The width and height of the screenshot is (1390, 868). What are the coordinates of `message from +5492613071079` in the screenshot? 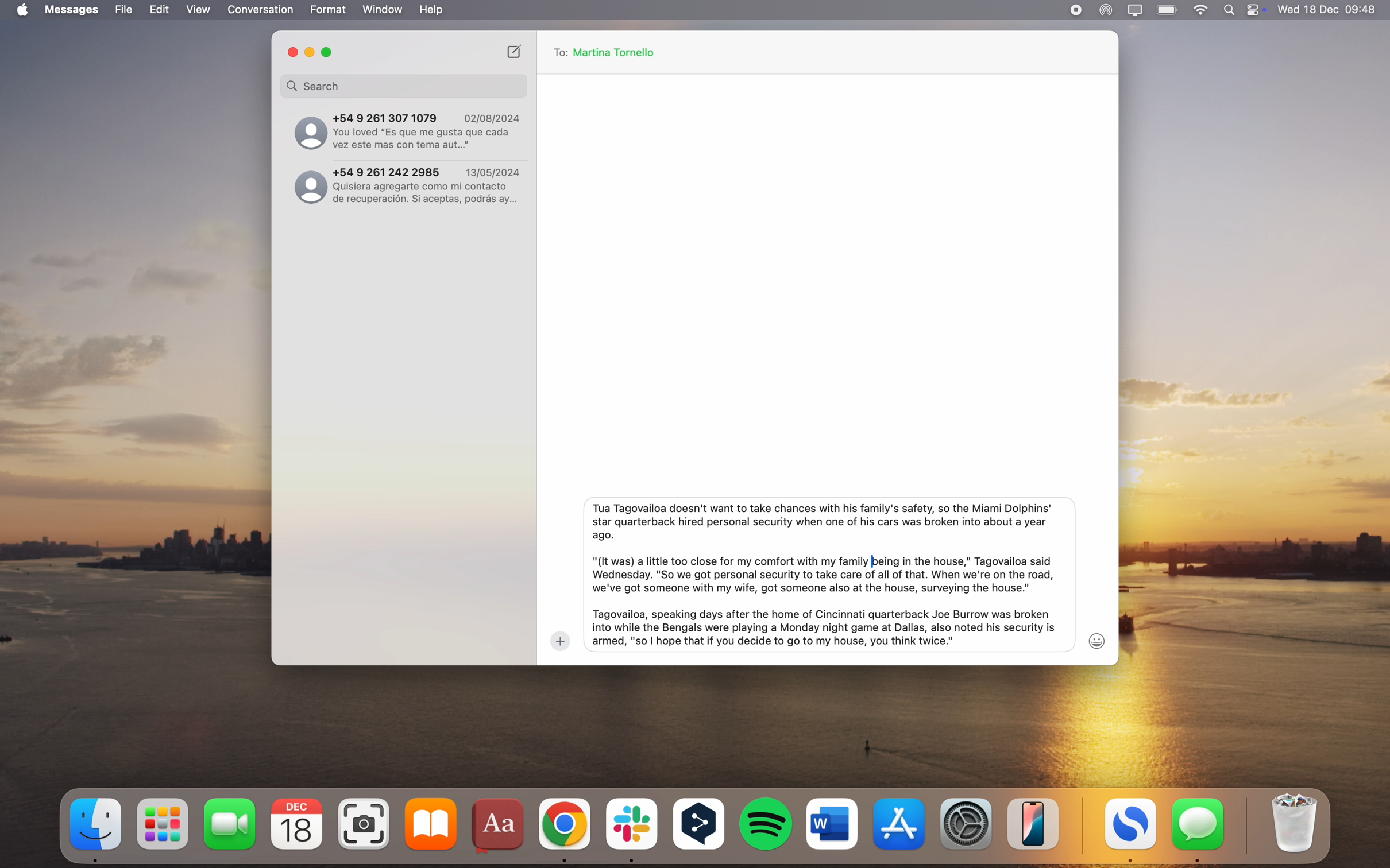 It's located at (407, 129).